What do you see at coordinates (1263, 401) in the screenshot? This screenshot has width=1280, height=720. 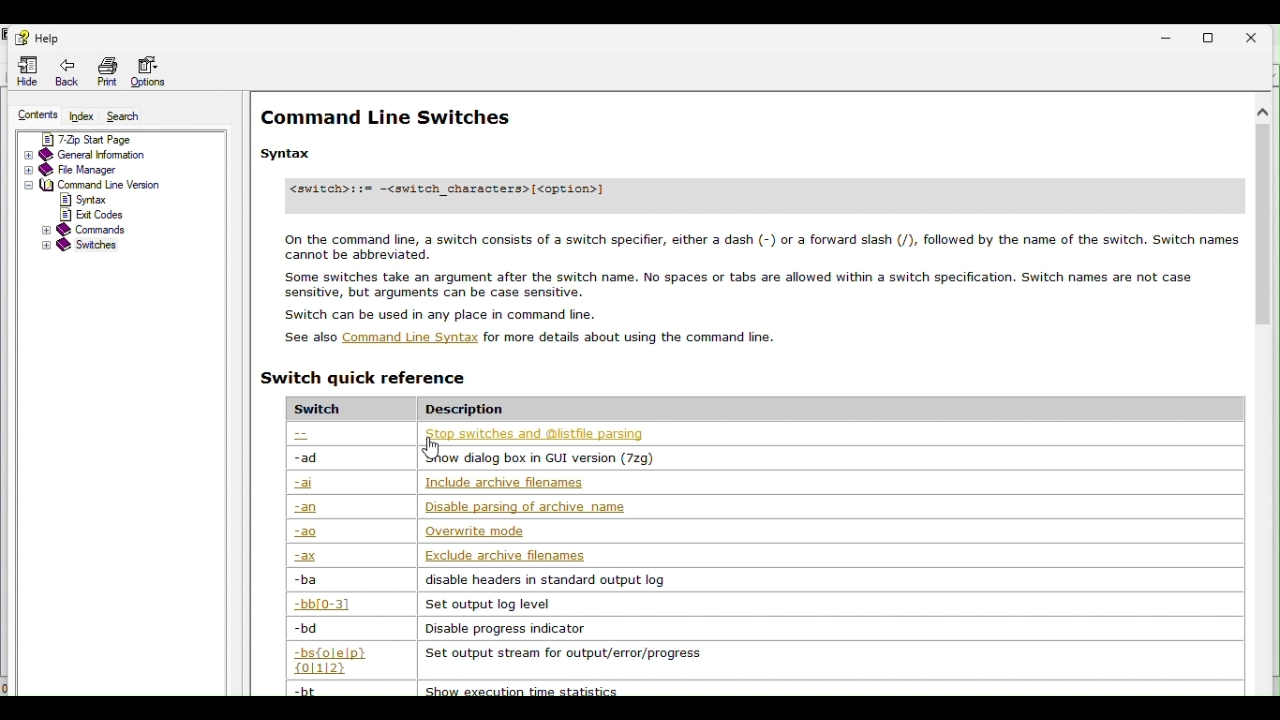 I see `Scrollbar` at bounding box center [1263, 401].